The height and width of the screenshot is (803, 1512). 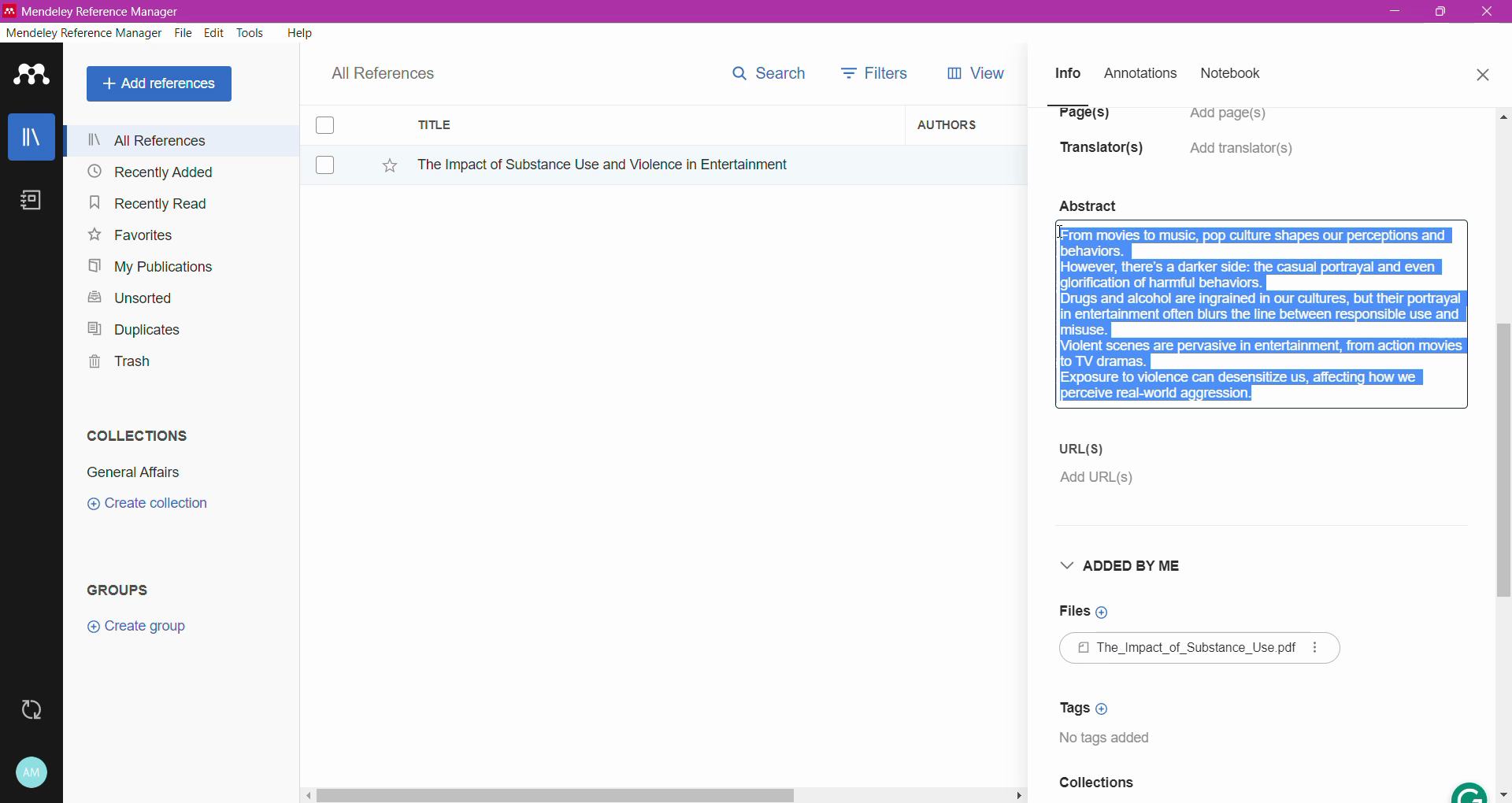 I want to click on File, so click(x=183, y=34).